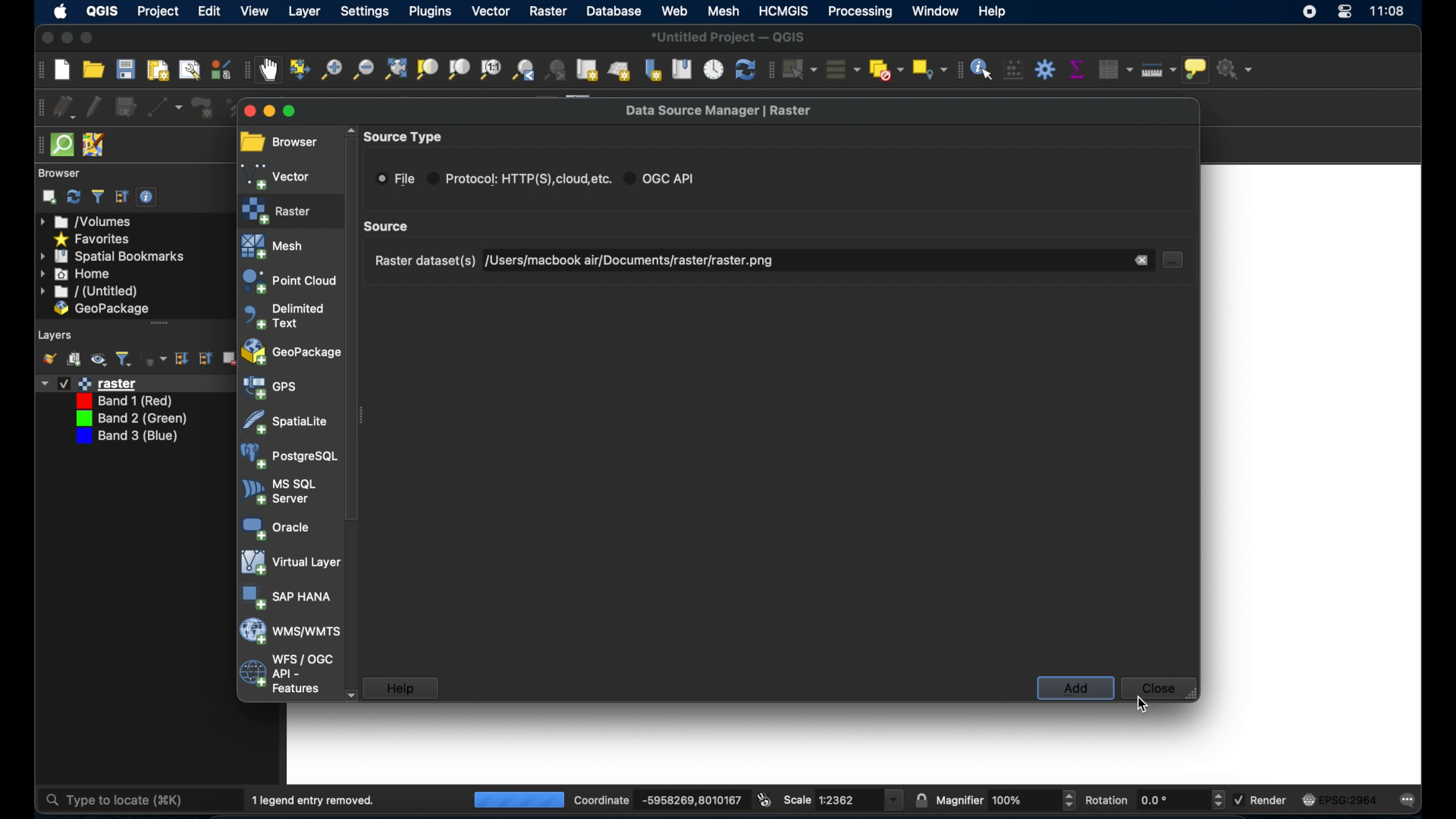  What do you see at coordinates (1144, 703) in the screenshot?
I see `cursor` at bounding box center [1144, 703].